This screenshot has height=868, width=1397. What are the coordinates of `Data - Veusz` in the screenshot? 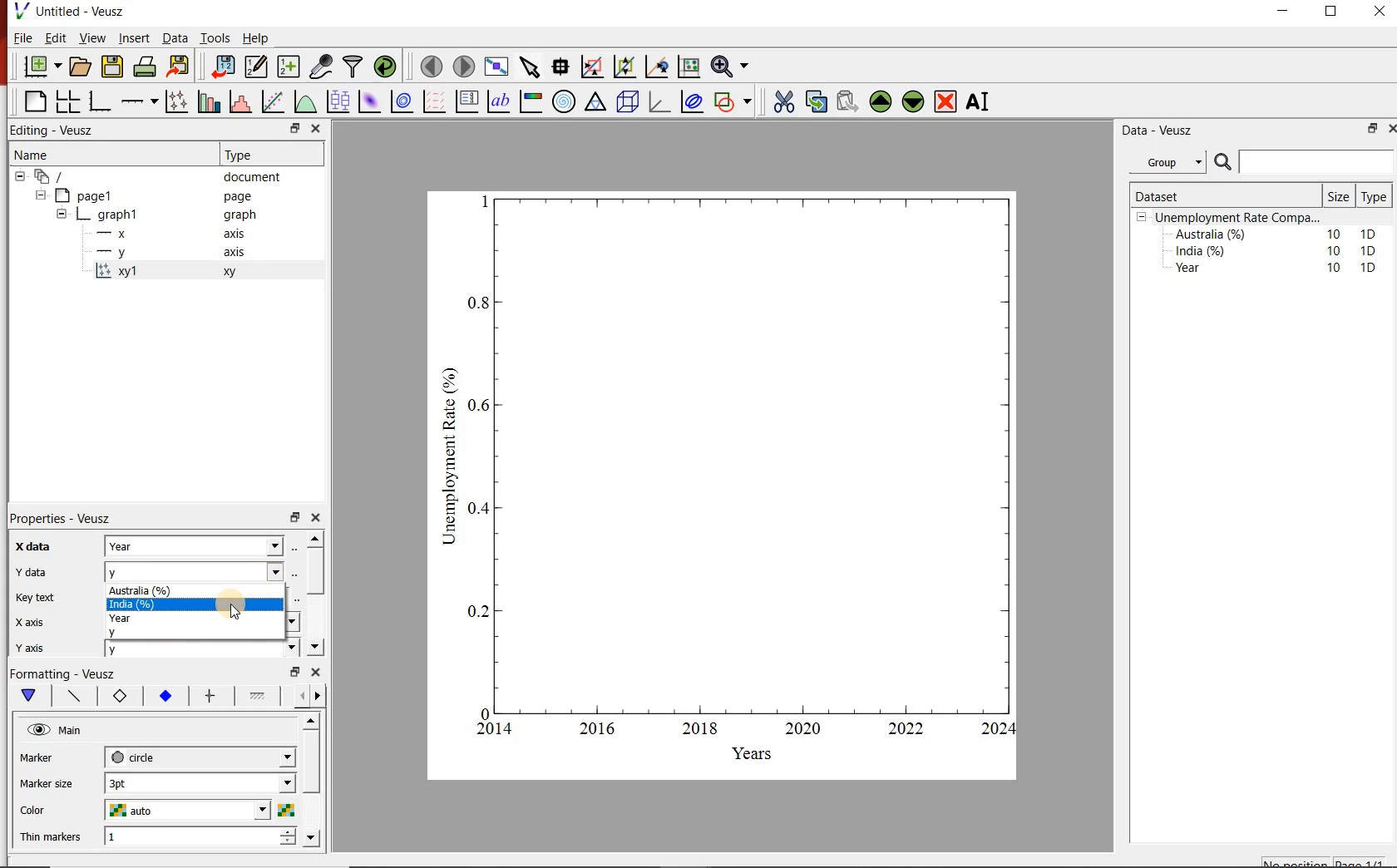 It's located at (1173, 131).